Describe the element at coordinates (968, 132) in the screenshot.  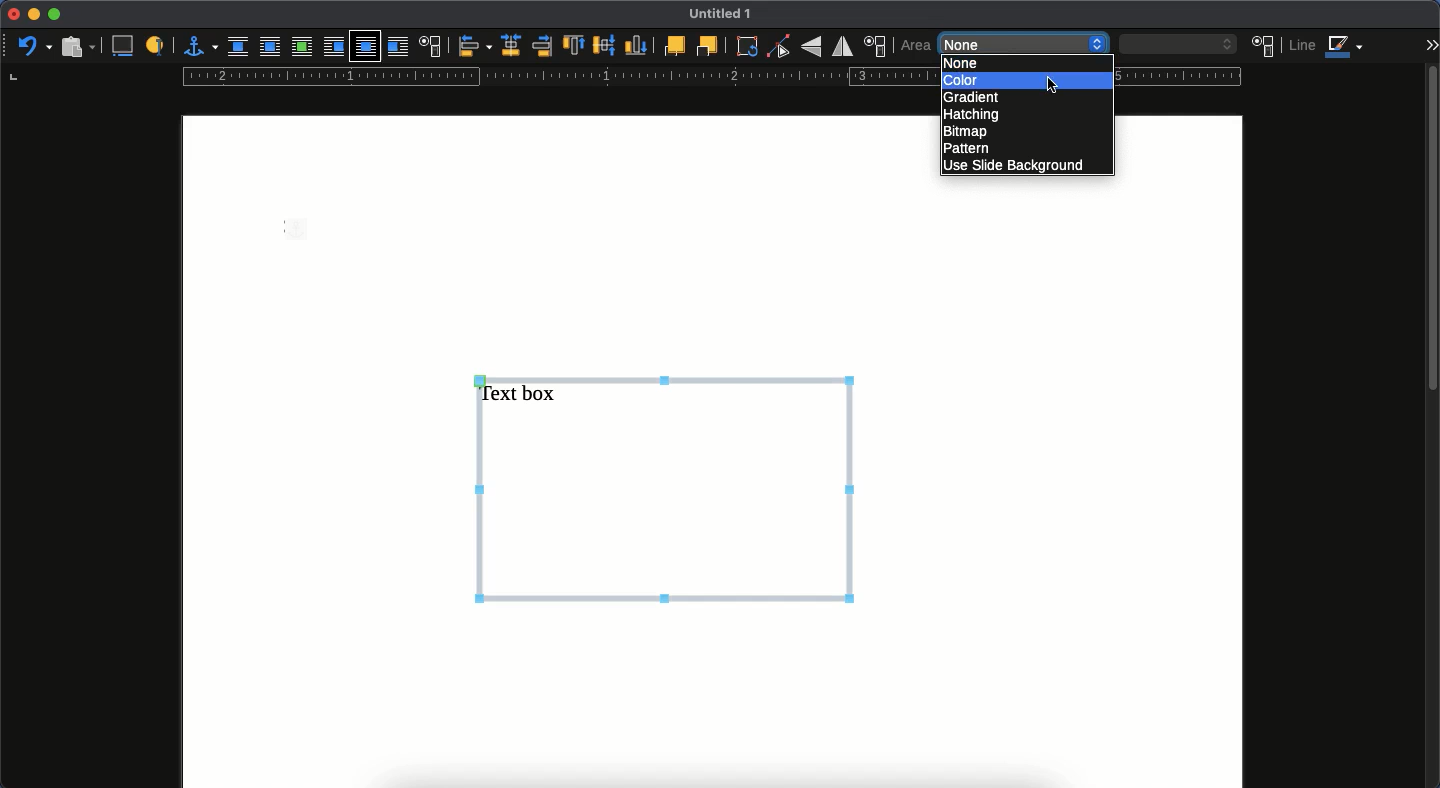
I see `bitmap` at that location.